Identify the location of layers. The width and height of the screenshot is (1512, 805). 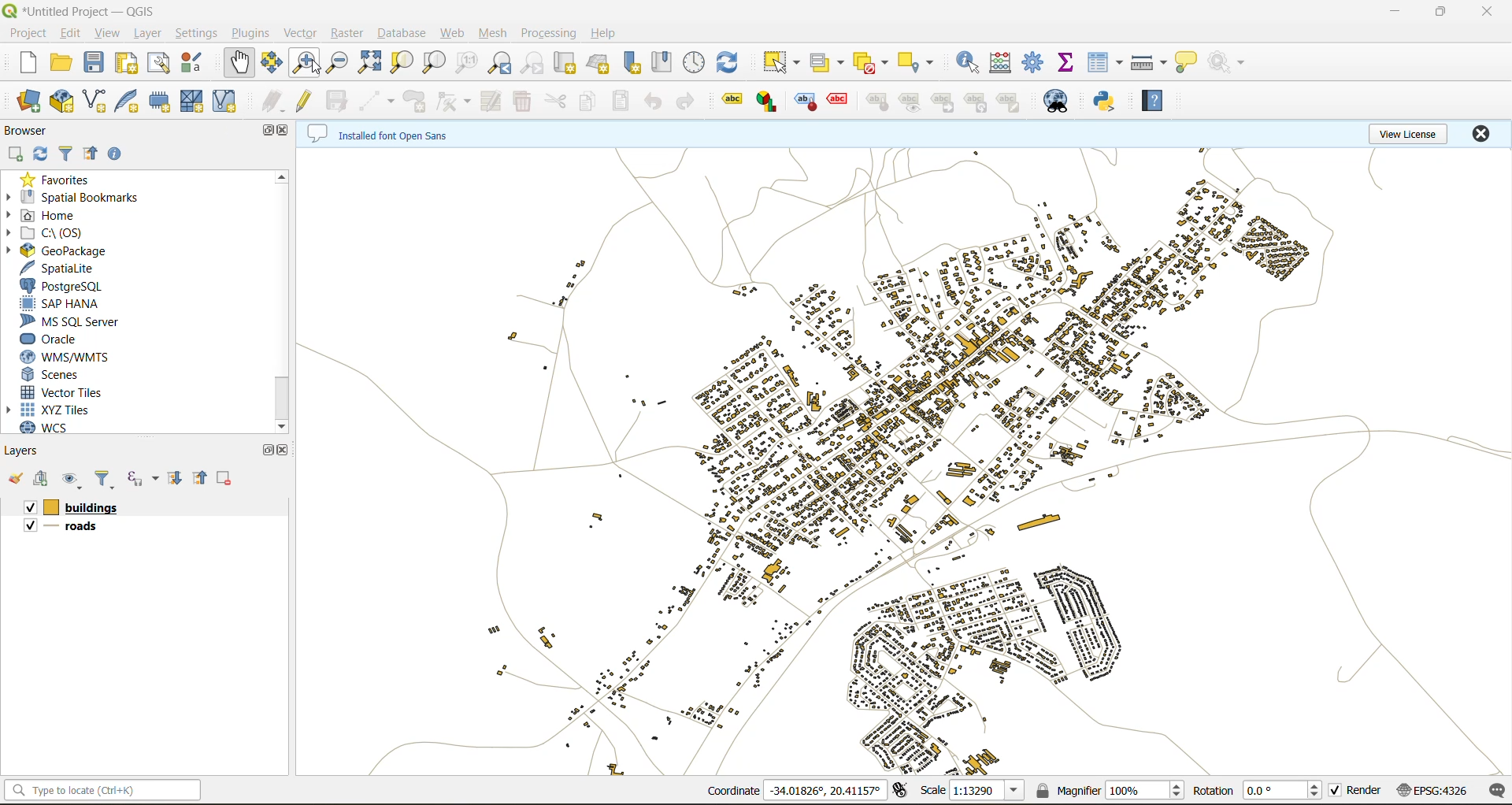
(91, 506).